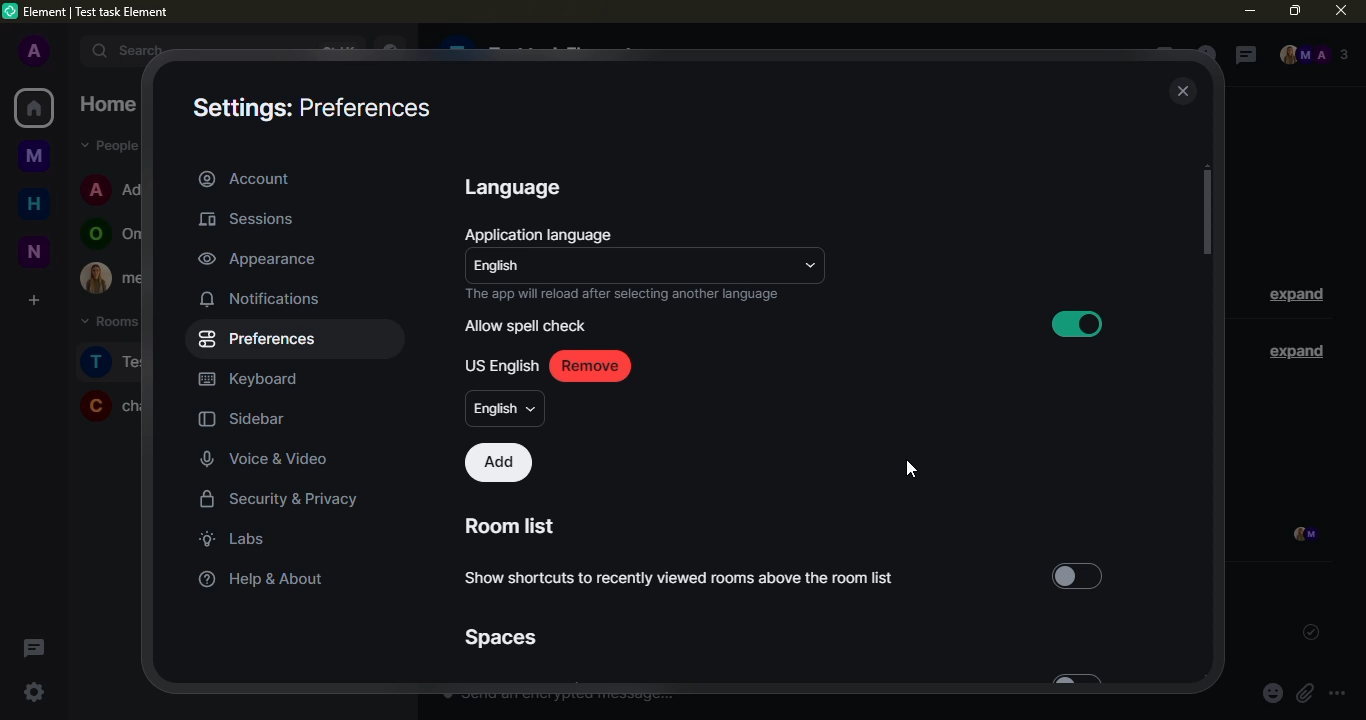 The image size is (1366, 720). I want to click on element| test task element, so click(104, 13).